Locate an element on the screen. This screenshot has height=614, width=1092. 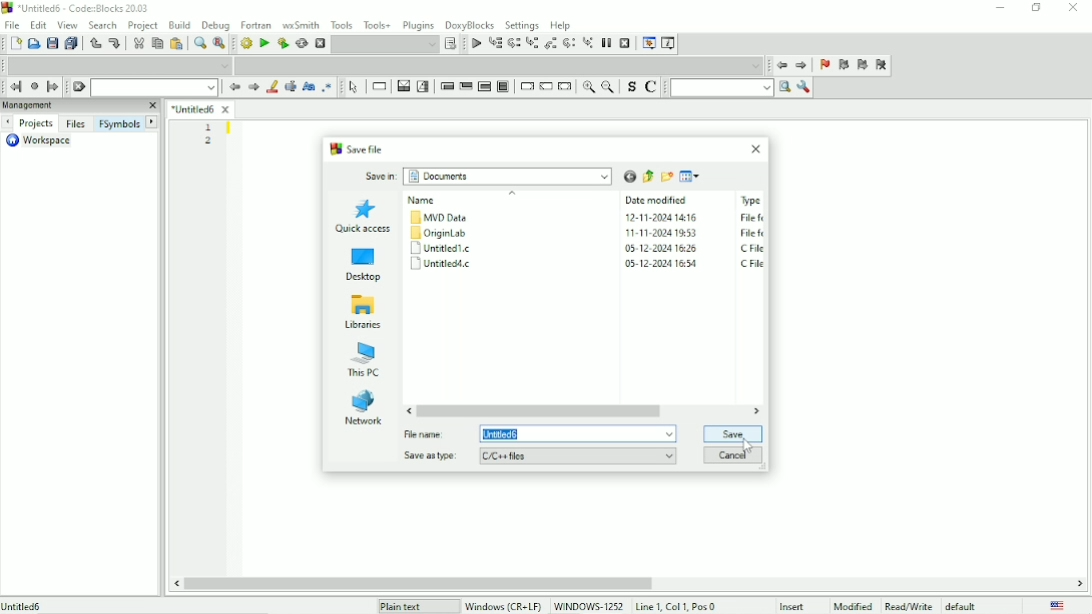
Break-instruction is located at coordinates (525, 85).